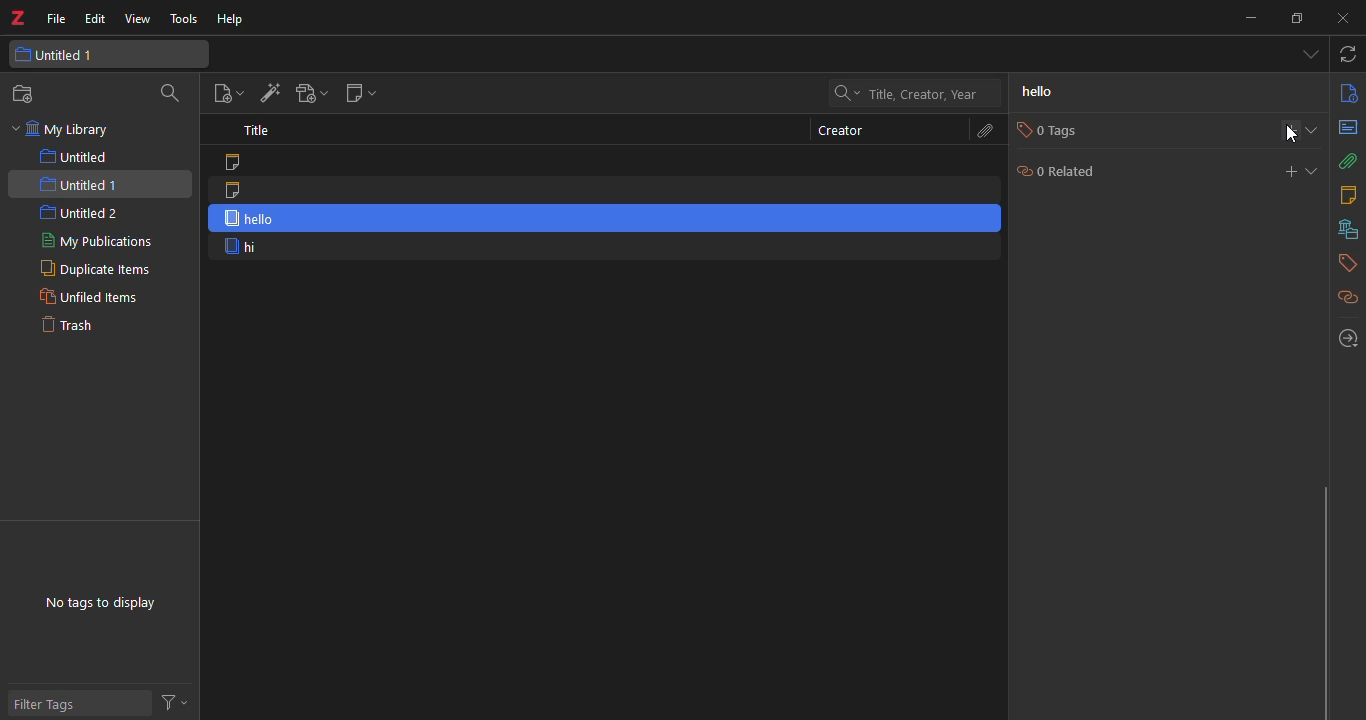 This screenshot has height=720, width=1366. What do you see at coordinates (1299, 17) in the screenshot?
I see `maximize` at bounding box center [1299, 17].